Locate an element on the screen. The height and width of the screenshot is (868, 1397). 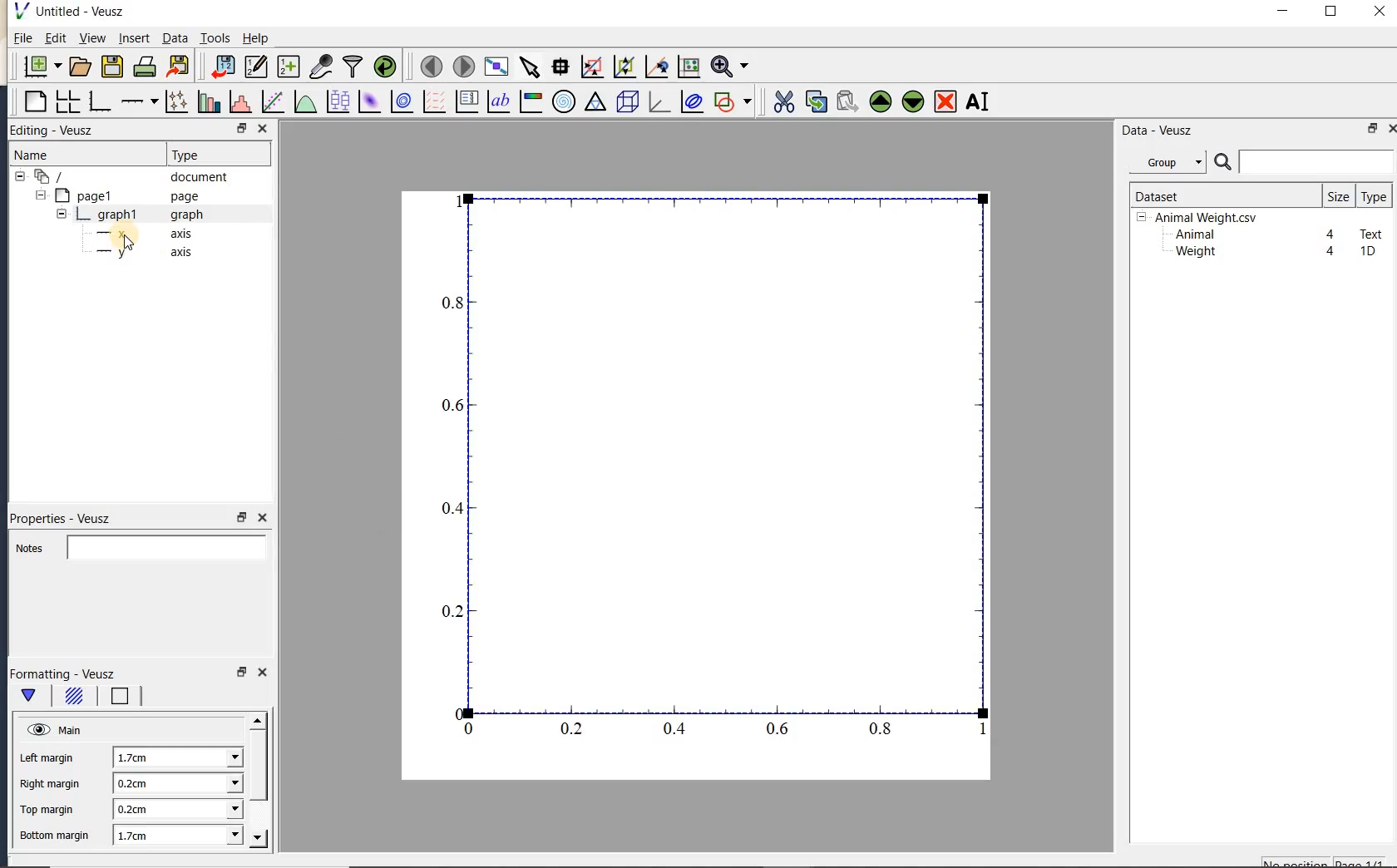
renames the selected widget is located at coordinates (976, 101).